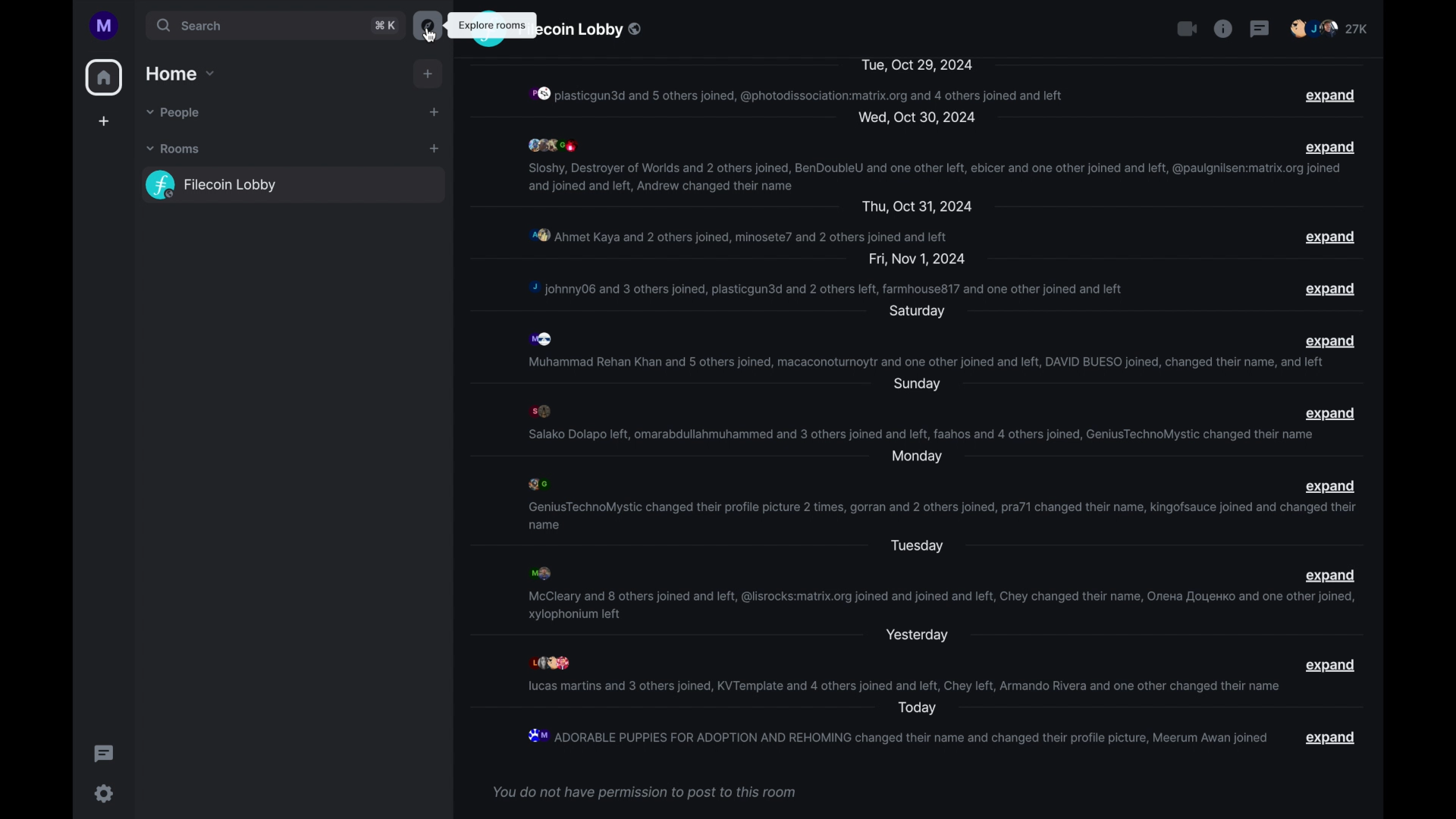  I want to click on Wed, Oct 30, 2024, so click(916, 118).